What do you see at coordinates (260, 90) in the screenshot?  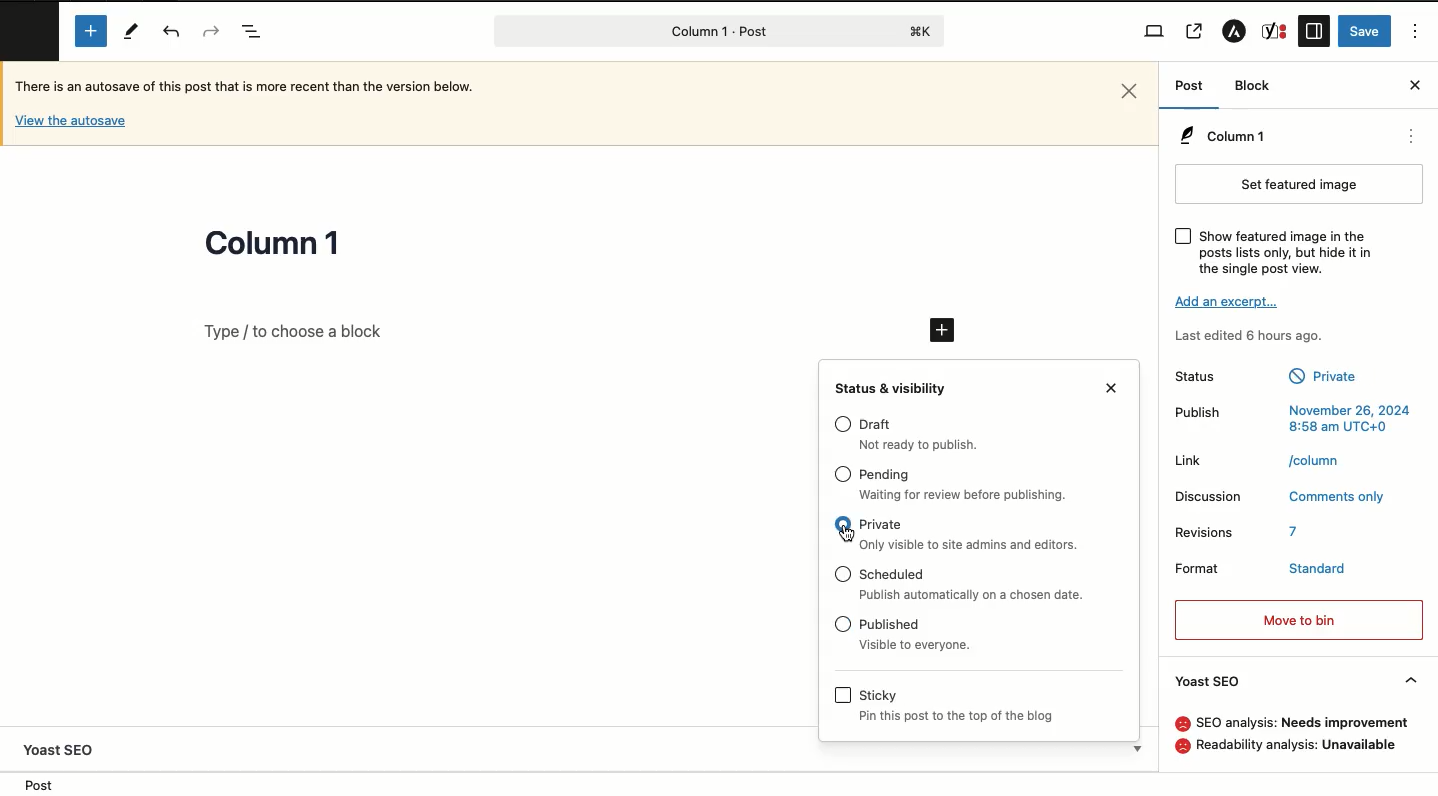 I see `Autosave` at bounding box center [260, 90].